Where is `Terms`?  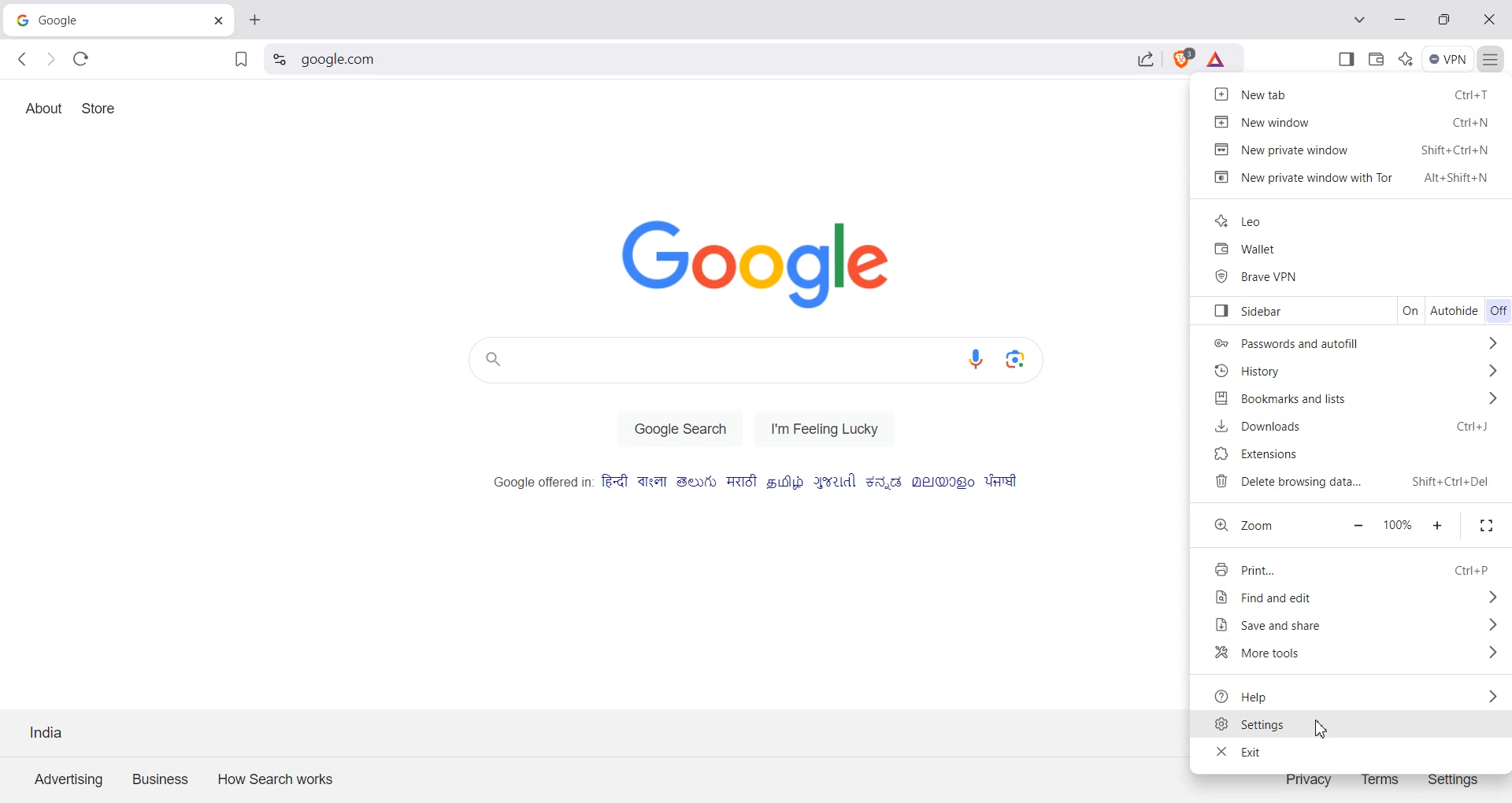
Terms is located at coordinates (1380, 778).